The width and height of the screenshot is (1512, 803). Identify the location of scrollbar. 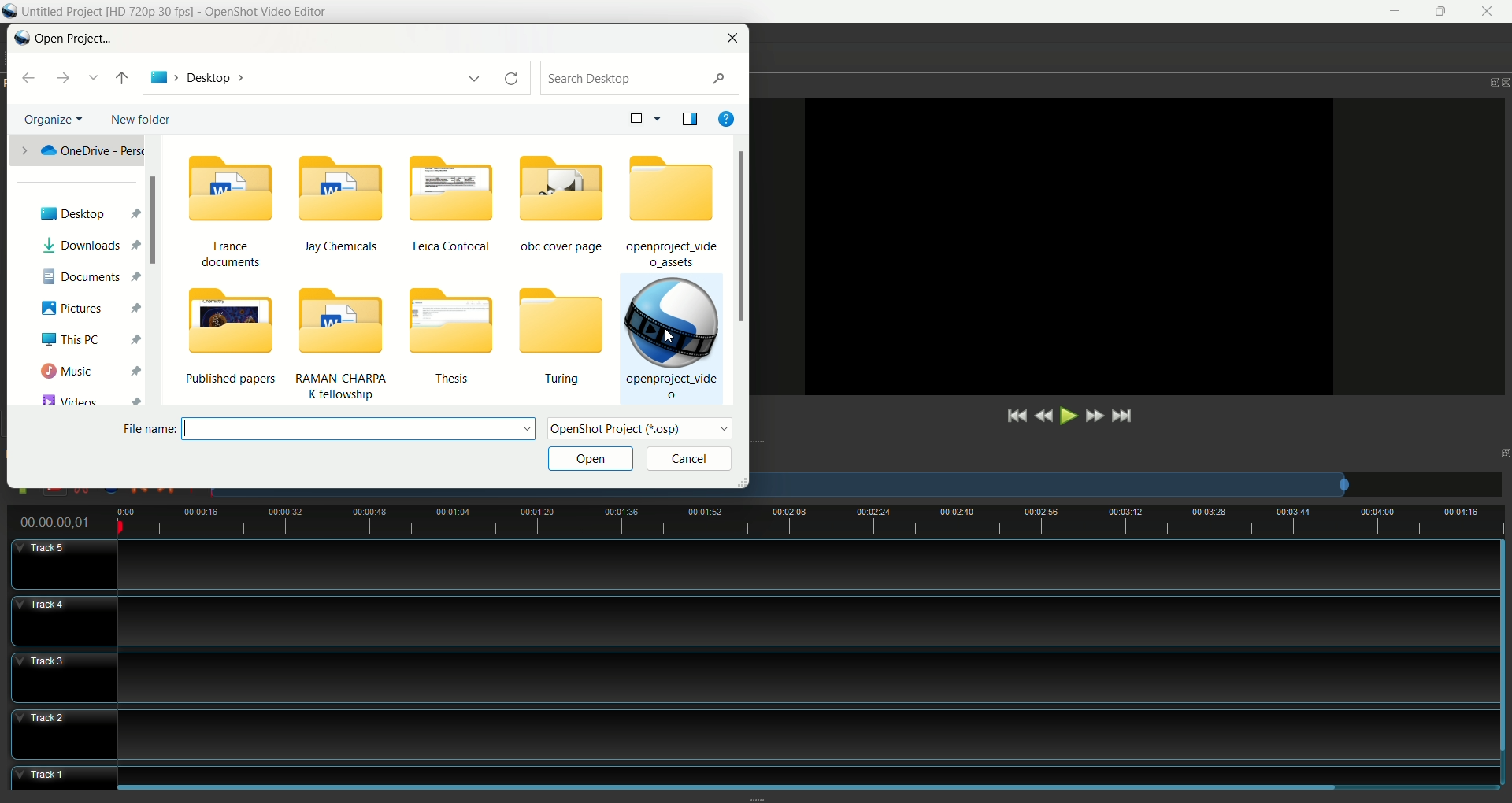
(156, 231).